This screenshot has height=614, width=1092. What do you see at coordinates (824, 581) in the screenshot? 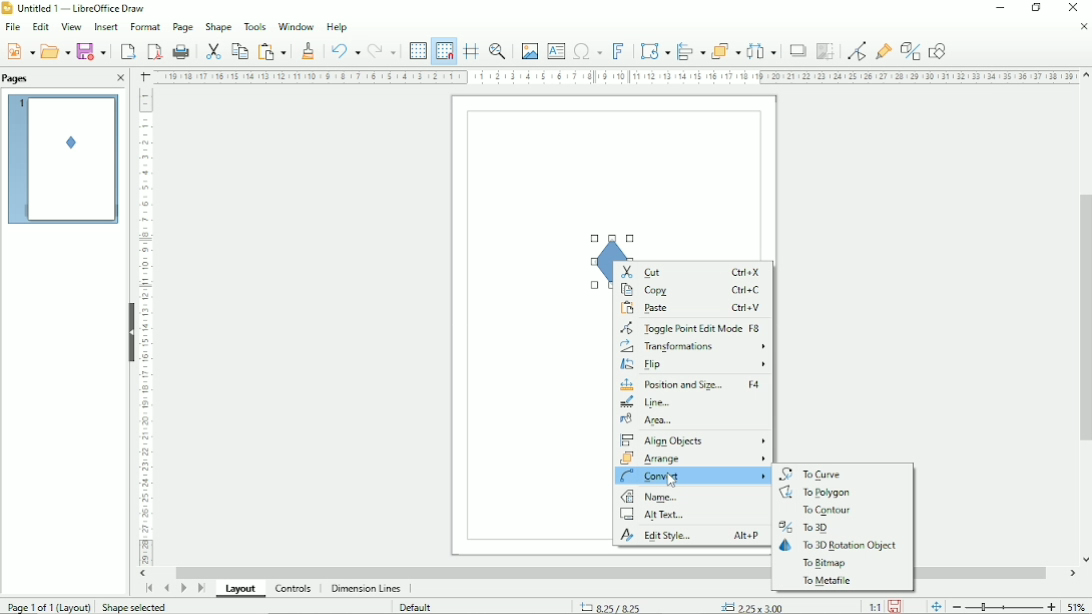
I see `To metafile` at bounding box center [824, 581].